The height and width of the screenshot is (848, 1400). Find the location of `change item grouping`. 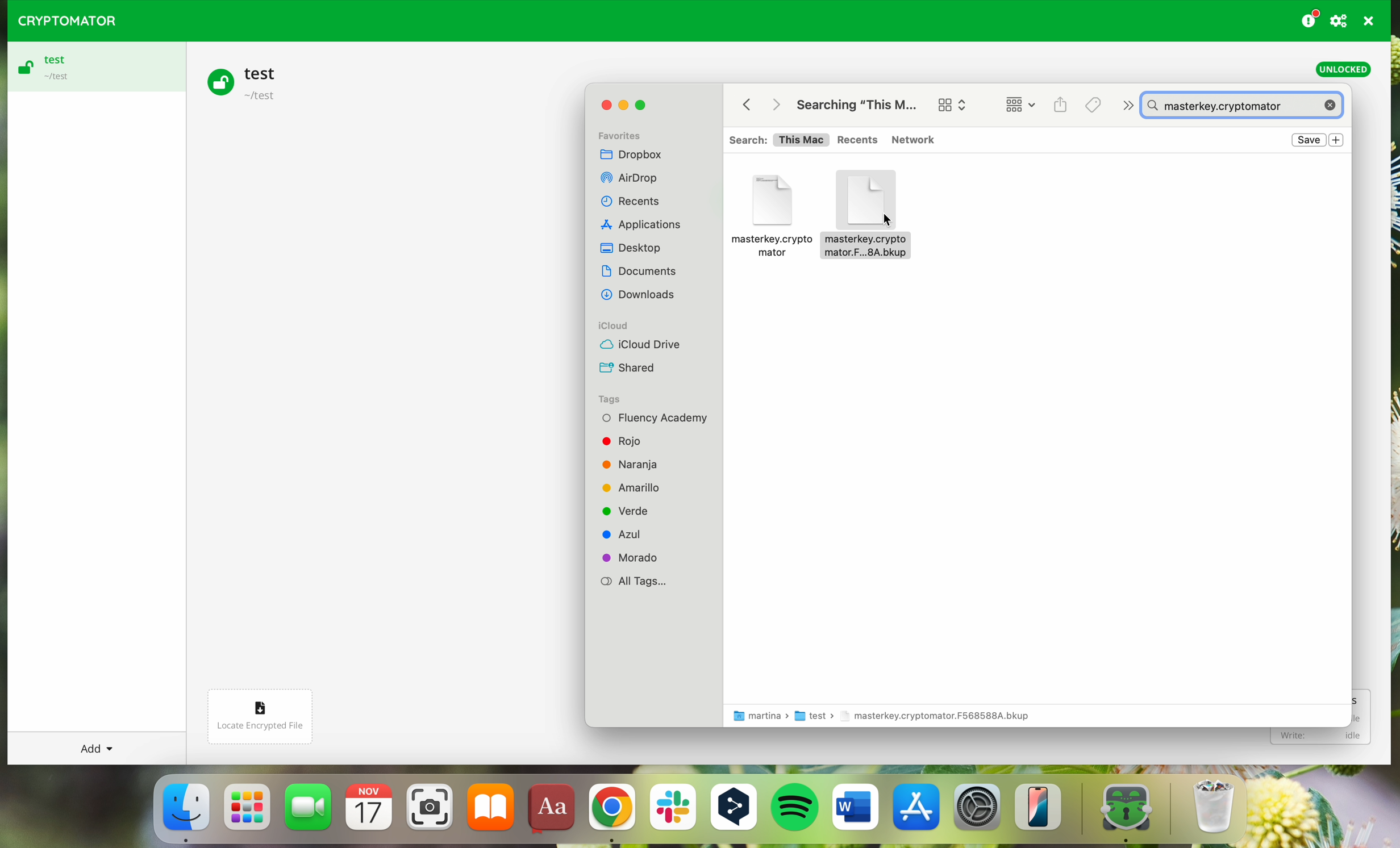

change item grouping is located at coordinates (951, 102).